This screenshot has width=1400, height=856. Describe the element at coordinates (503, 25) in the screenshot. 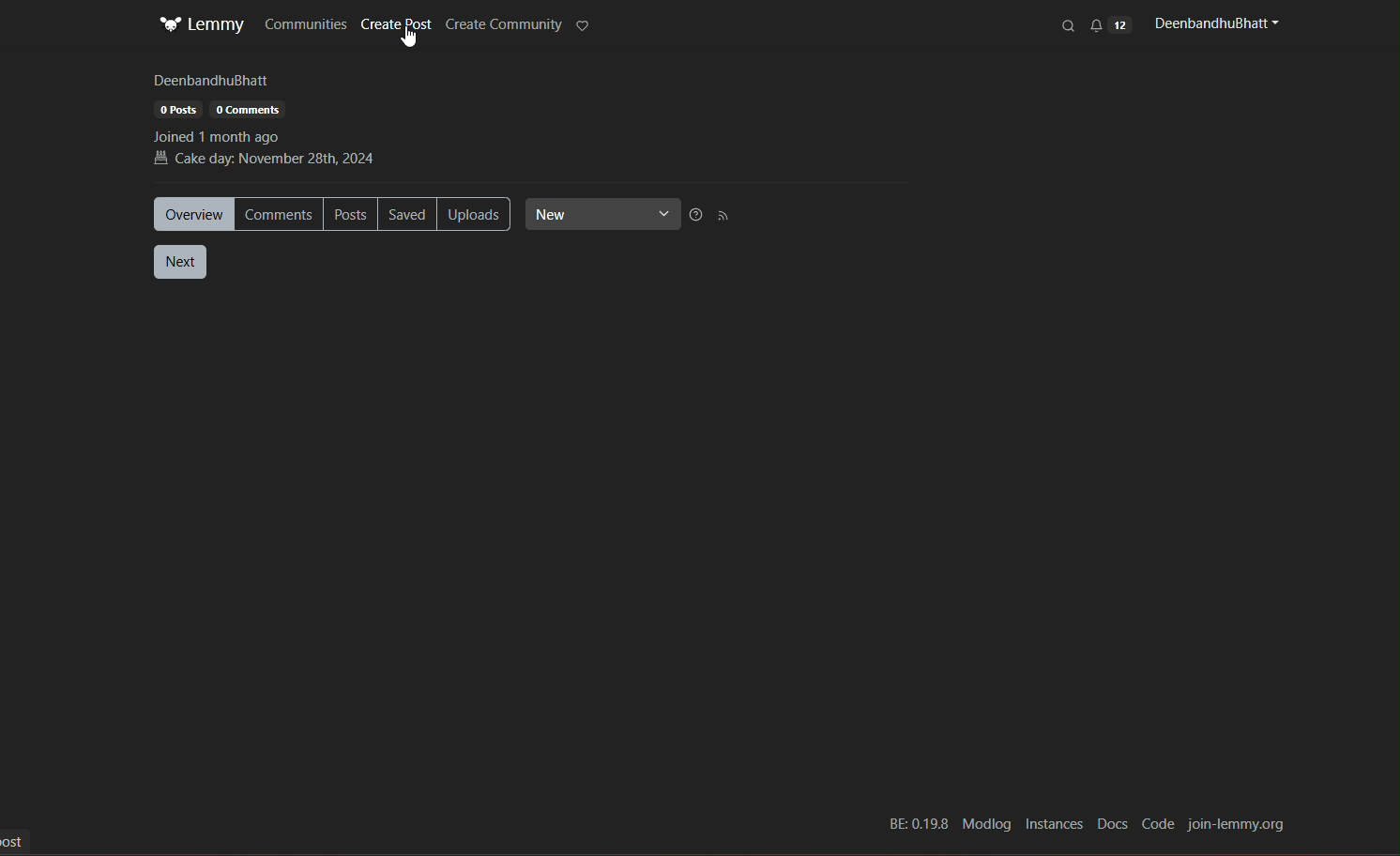

I see `create community` at that location.